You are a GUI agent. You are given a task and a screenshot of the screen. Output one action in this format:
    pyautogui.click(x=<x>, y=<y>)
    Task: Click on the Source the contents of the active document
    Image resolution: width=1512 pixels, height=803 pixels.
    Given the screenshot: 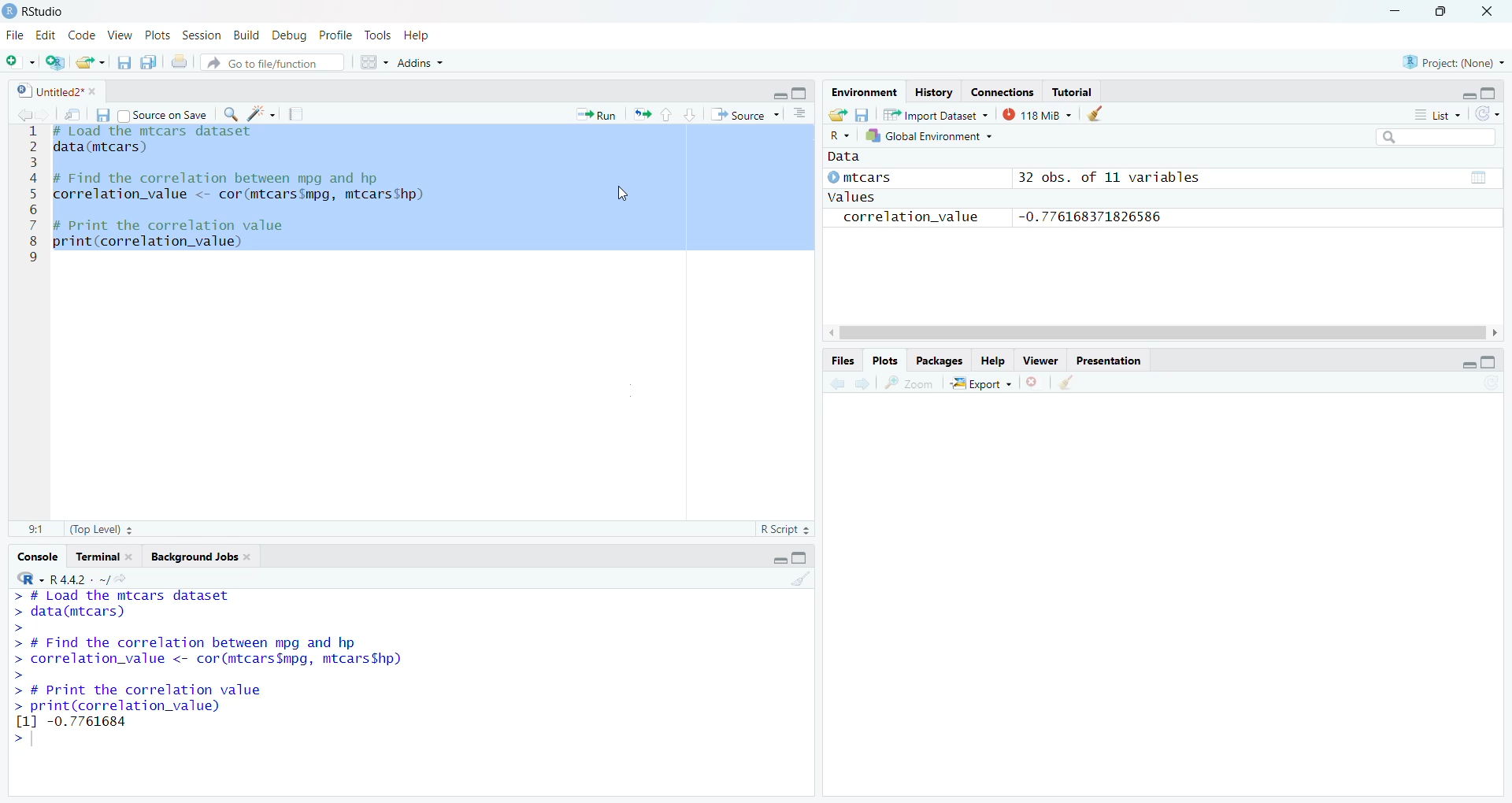 What is the action you would take?
    pyautogui.click(x=745, y=114)
    